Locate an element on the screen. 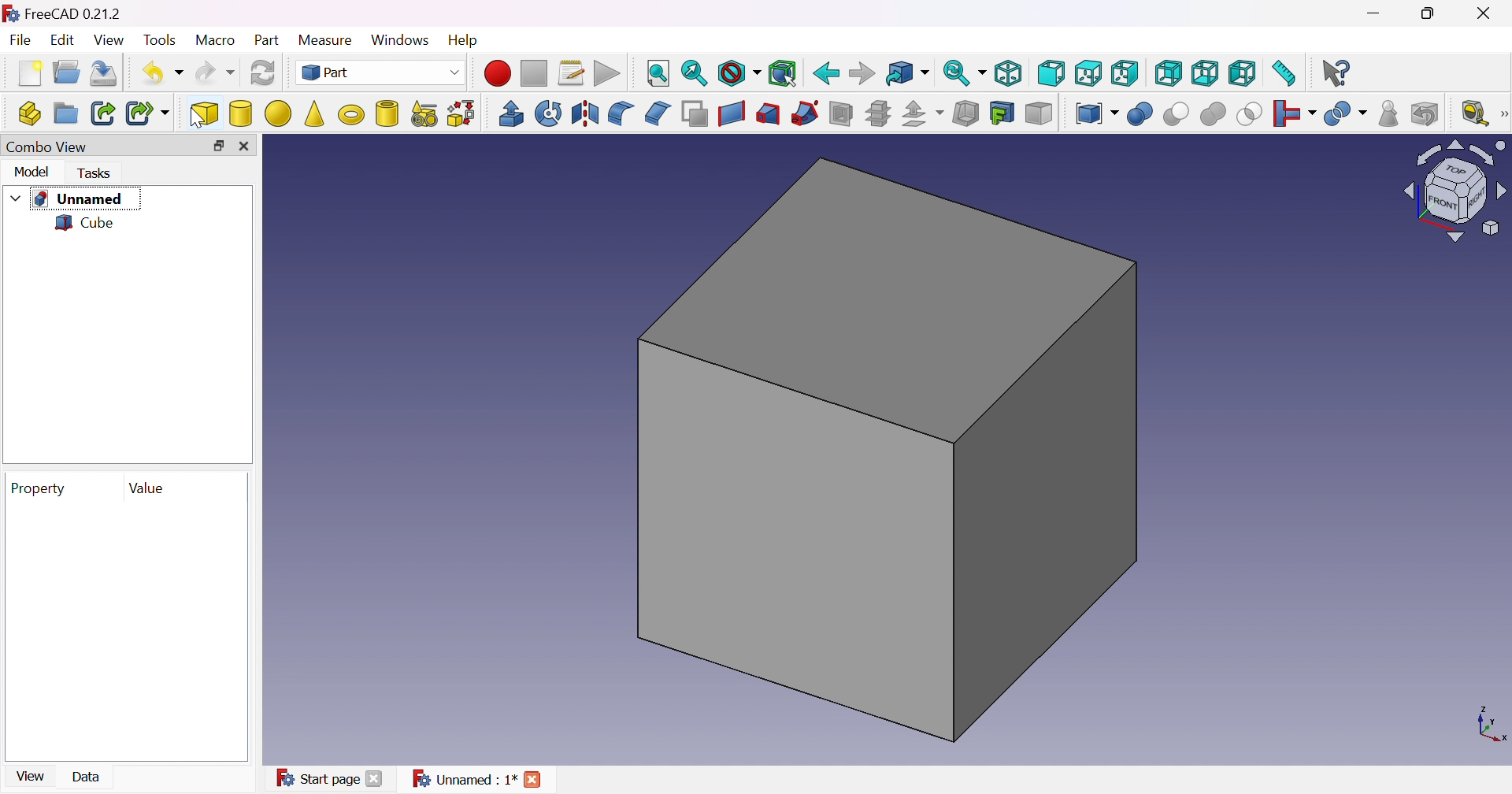 This screenshot has width=1512, height=794. Help is located at coordinates (462, 39).